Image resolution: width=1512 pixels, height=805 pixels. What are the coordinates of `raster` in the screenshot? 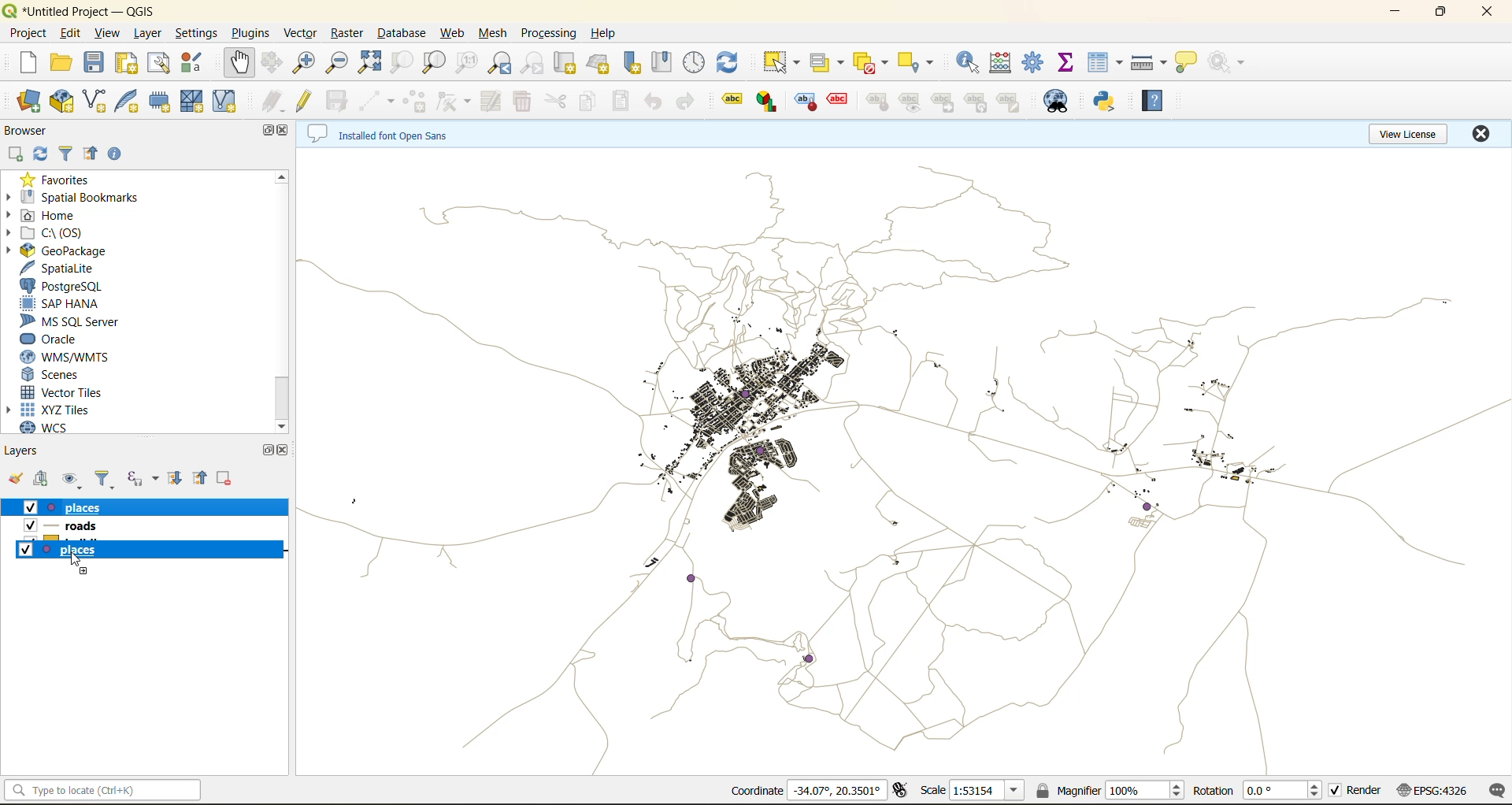 It's located at (345, 34).